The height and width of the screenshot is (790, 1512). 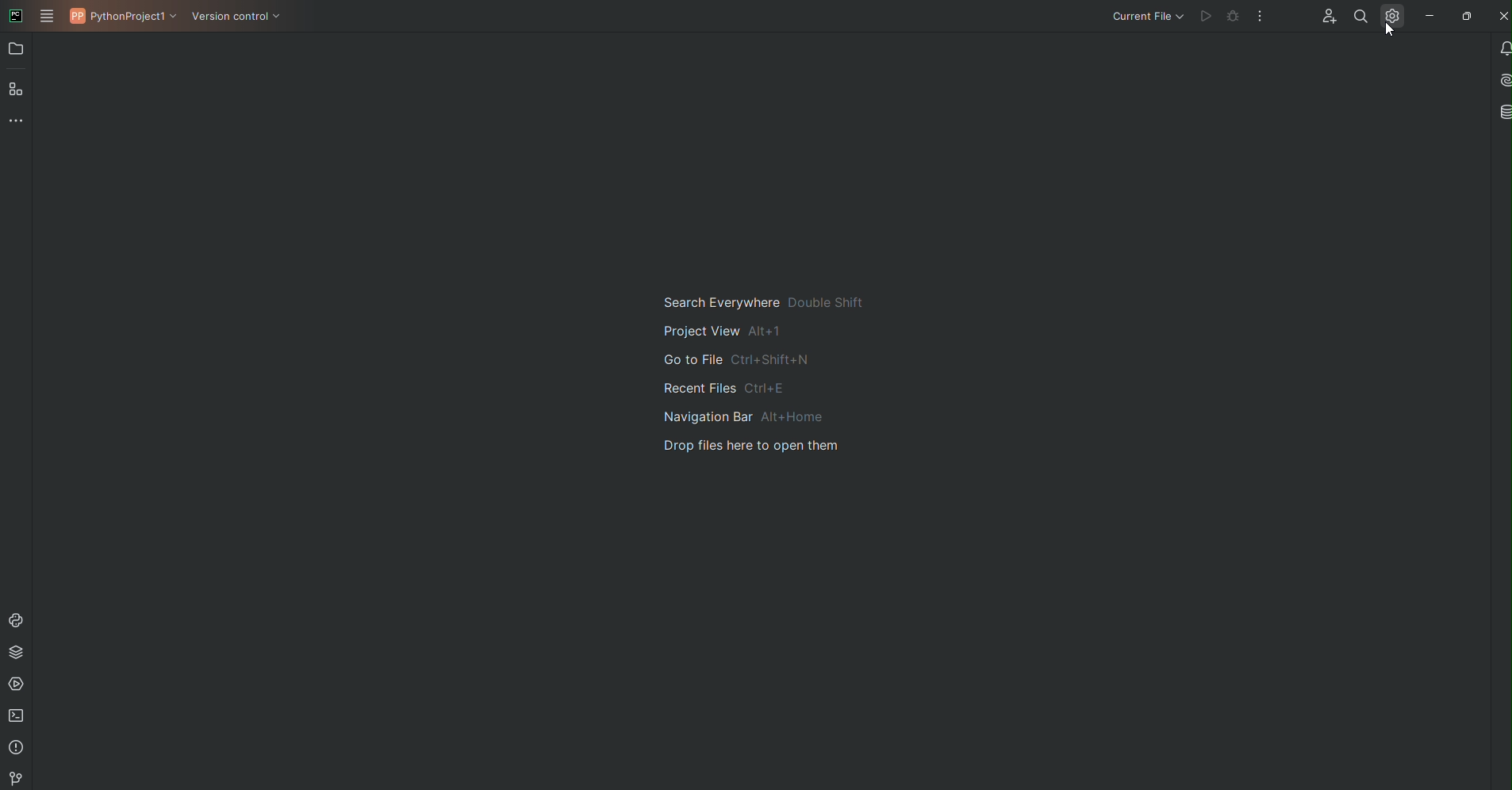 What do you see at coordinates (18, 90) in the screenshot?
I see `Structure` at bounding box center [18, 90].